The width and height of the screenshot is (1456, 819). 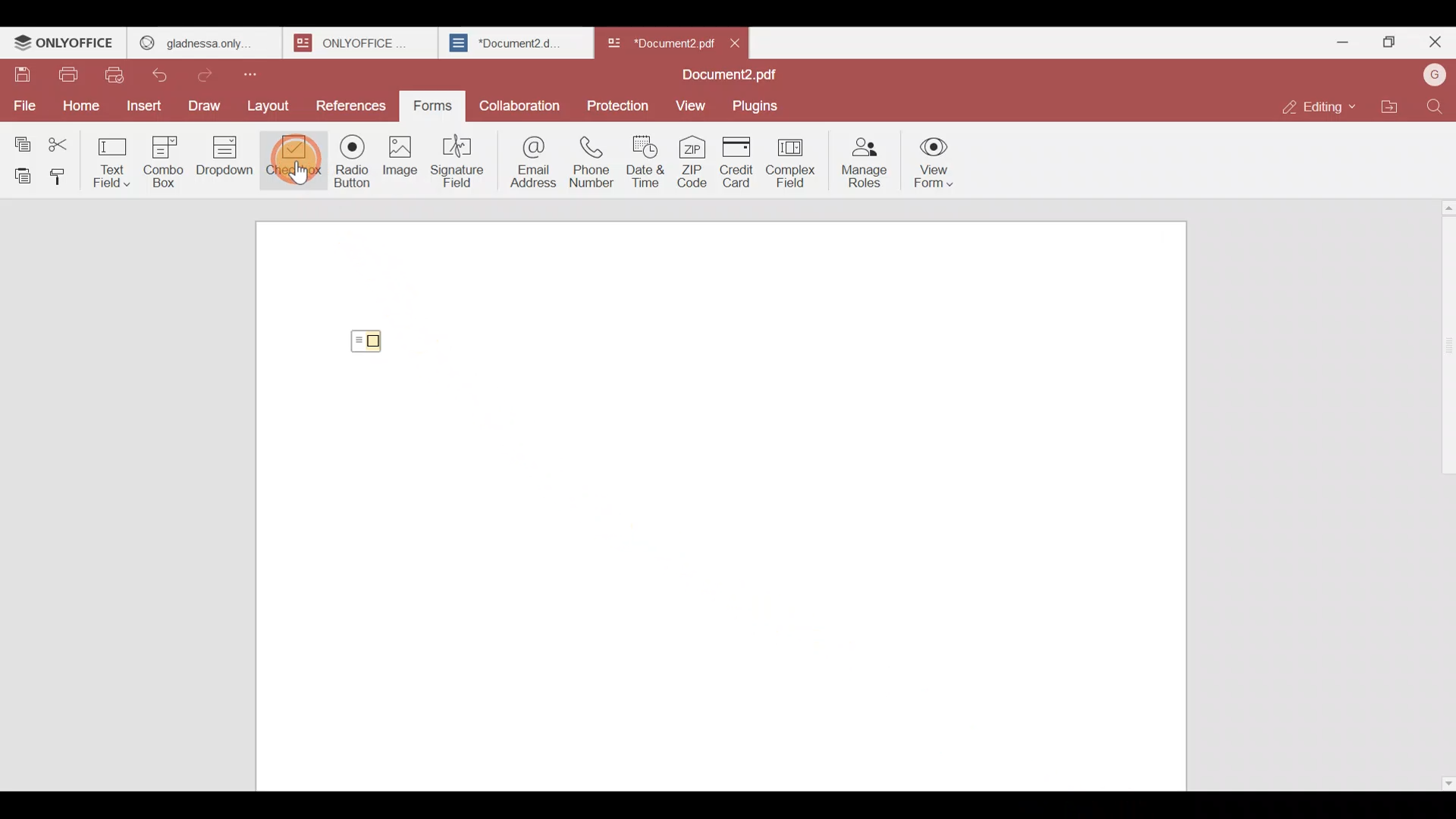 I want to click on gladness only, so click(x=203, y=39).